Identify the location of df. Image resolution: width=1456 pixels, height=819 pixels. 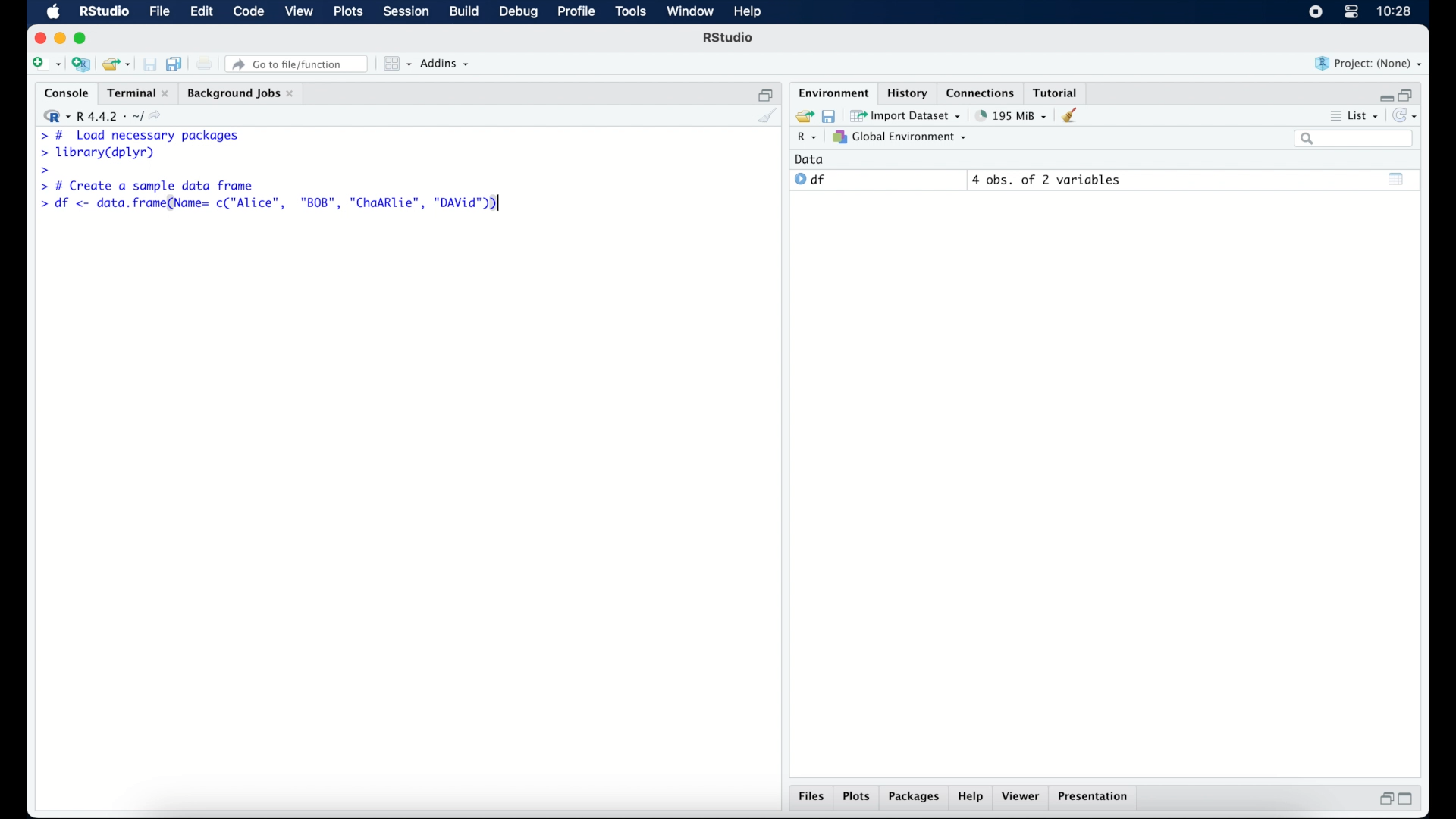
(810, 180).